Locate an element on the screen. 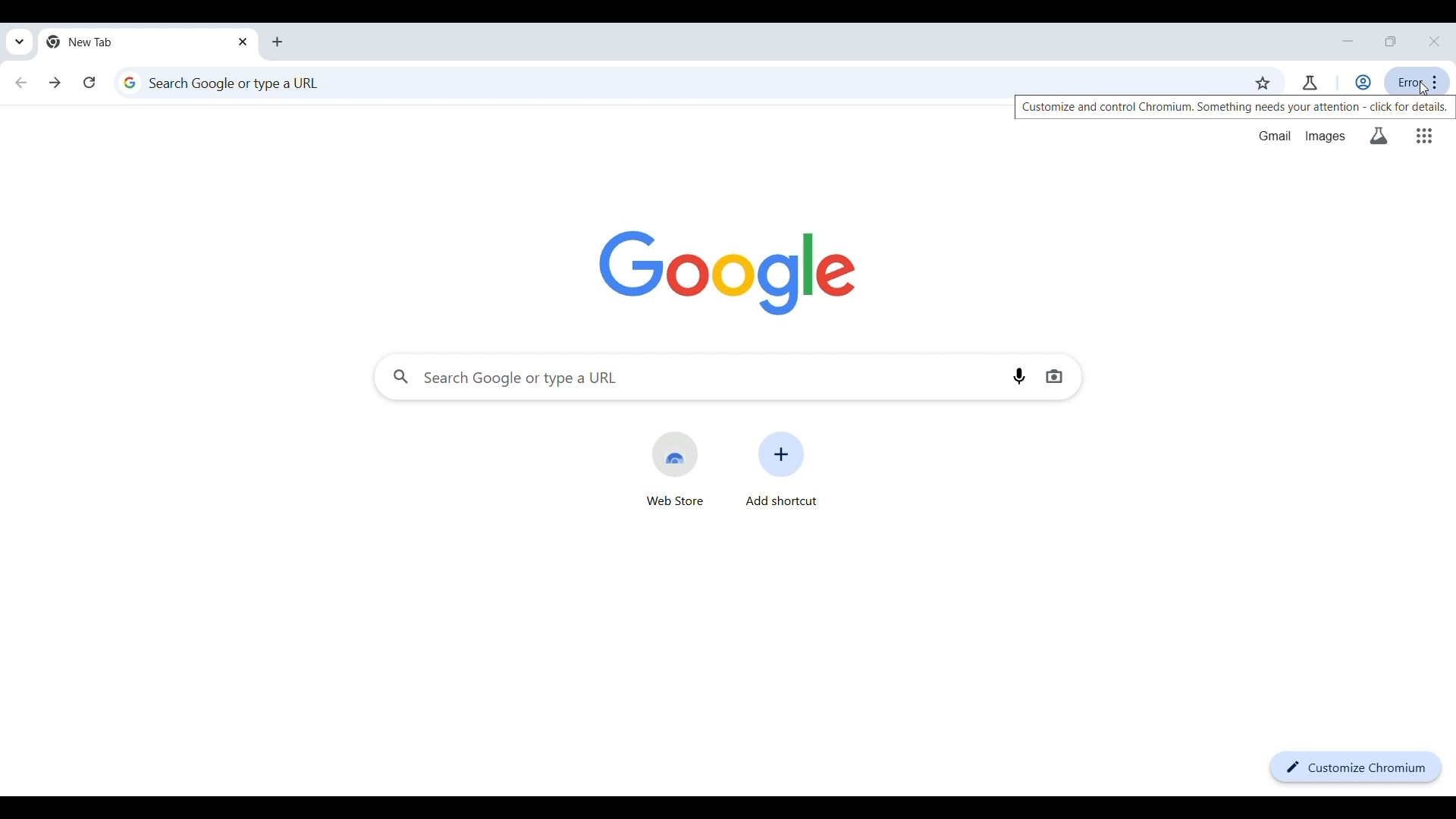 The width and height of the screenshot is (1456, 819). Minimize is located at coordinates (1348, 41).